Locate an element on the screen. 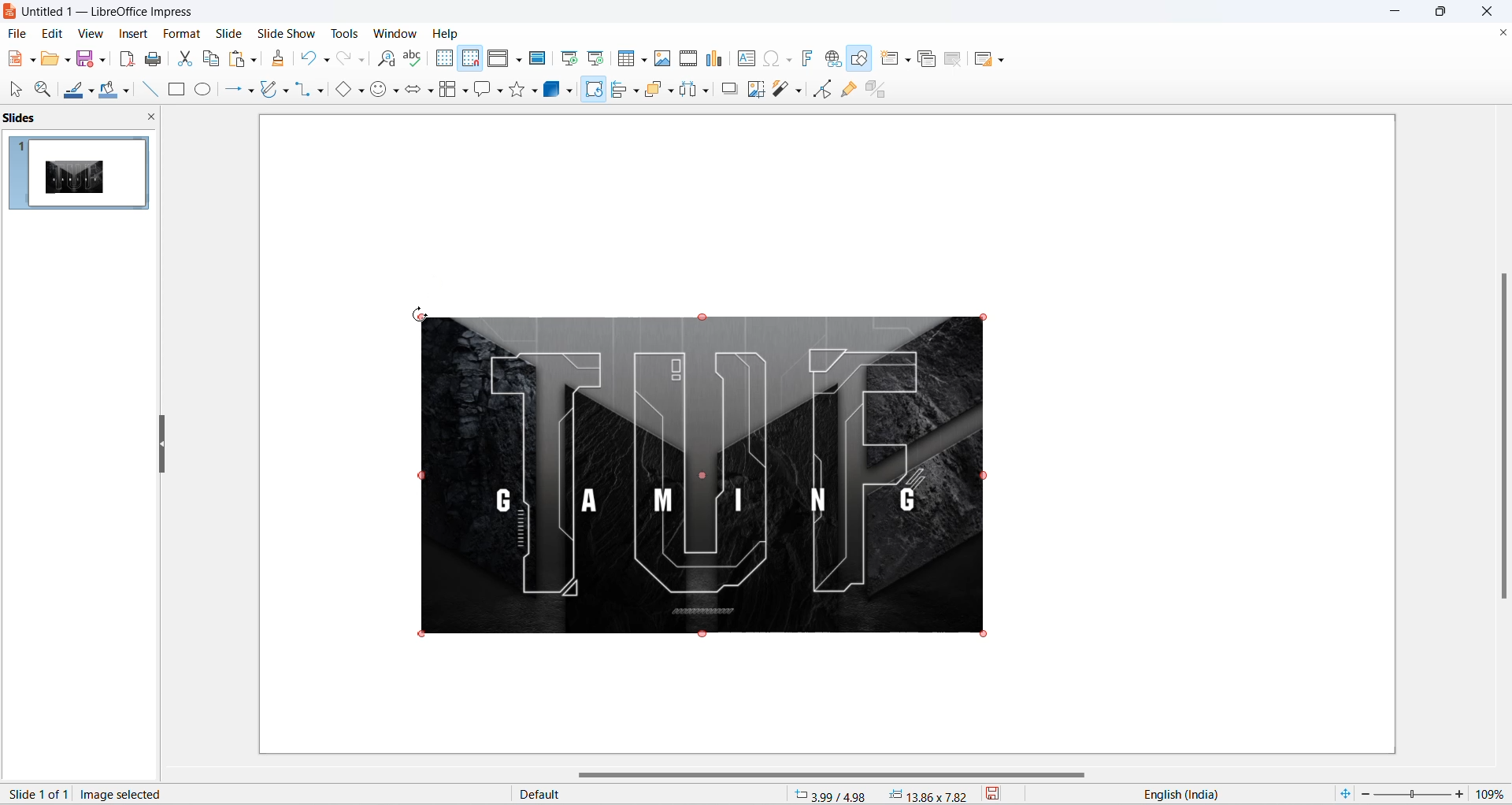 Image resolution: width=1512 pixels, height=805 pixels. special character icons is located at coordinates (787, 58).